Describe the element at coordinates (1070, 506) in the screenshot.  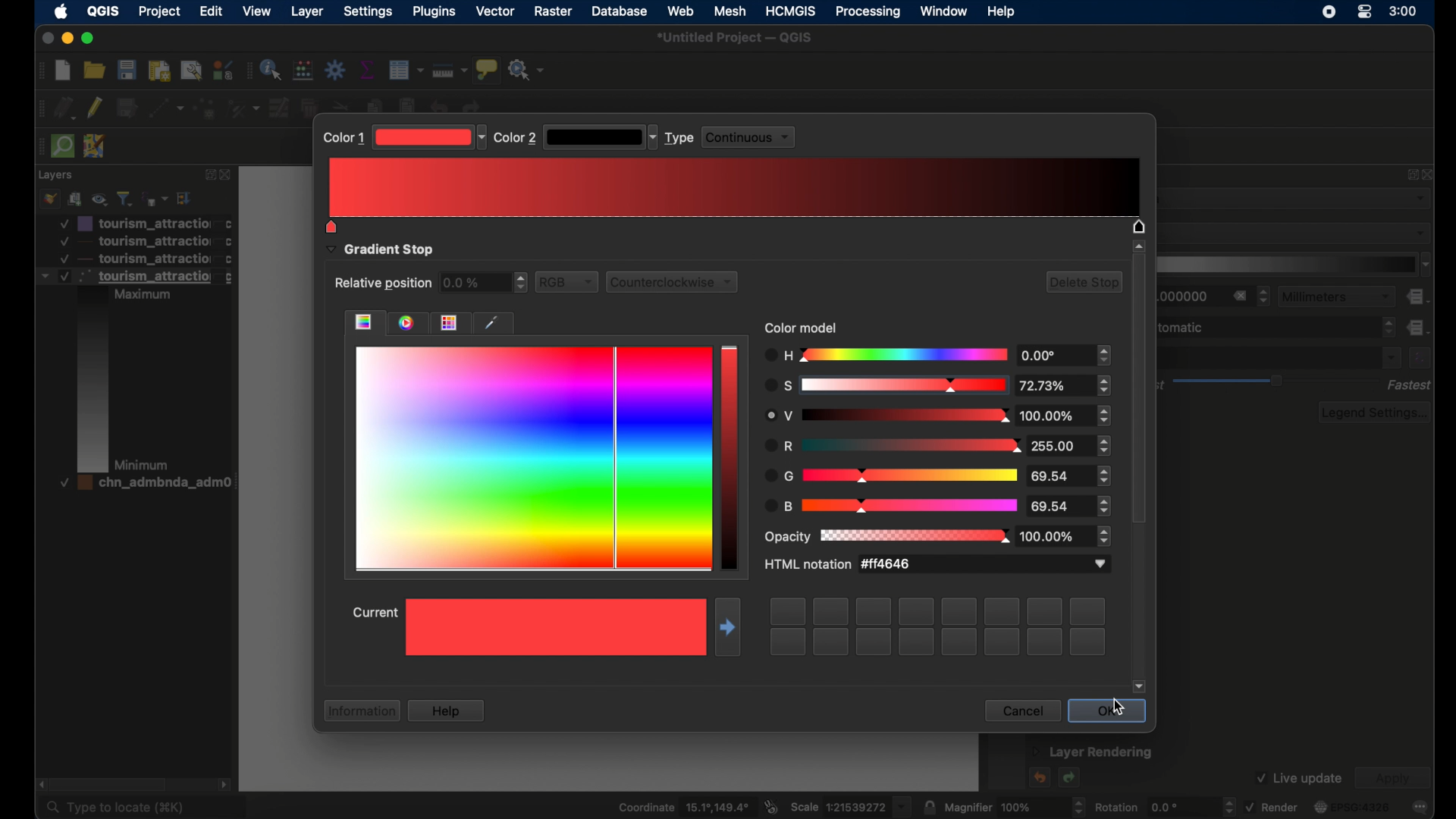
I see `stepper buttons` at that location.